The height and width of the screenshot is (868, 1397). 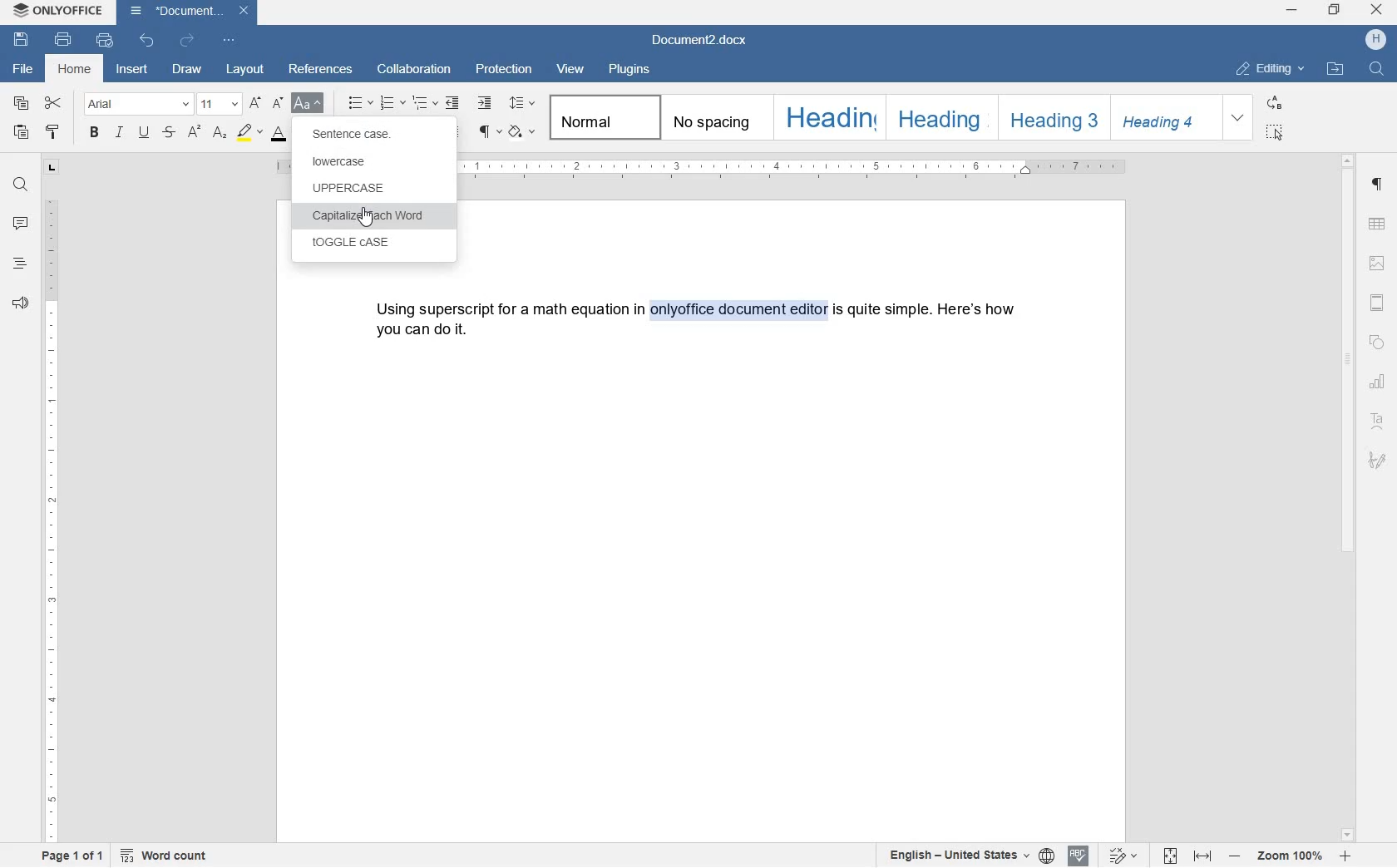 I want to click on scrollbar, so click(x=1350, y=497).